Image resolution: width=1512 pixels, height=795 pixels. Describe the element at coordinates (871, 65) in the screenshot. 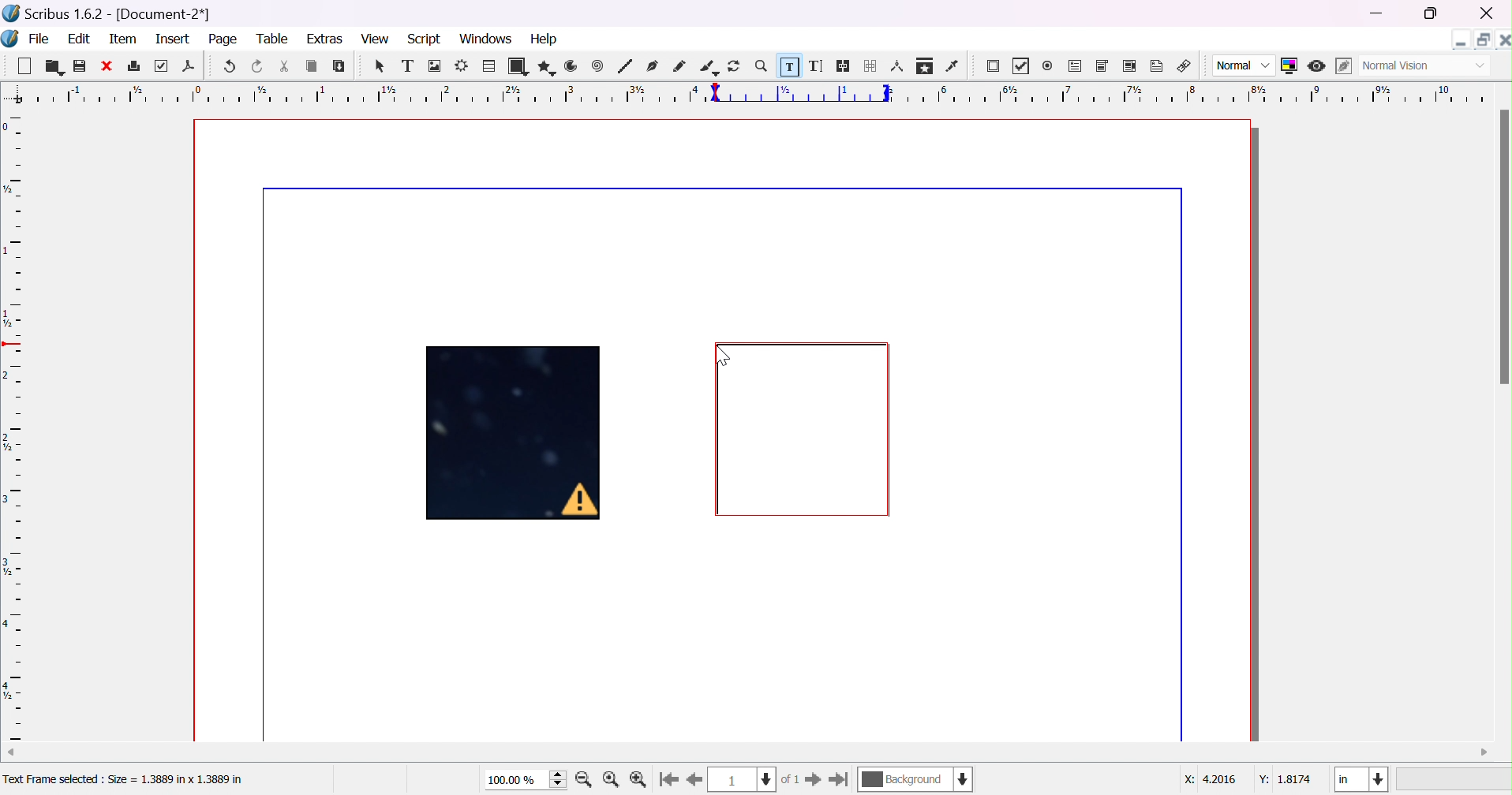

I see `unlink text frames` at that location.